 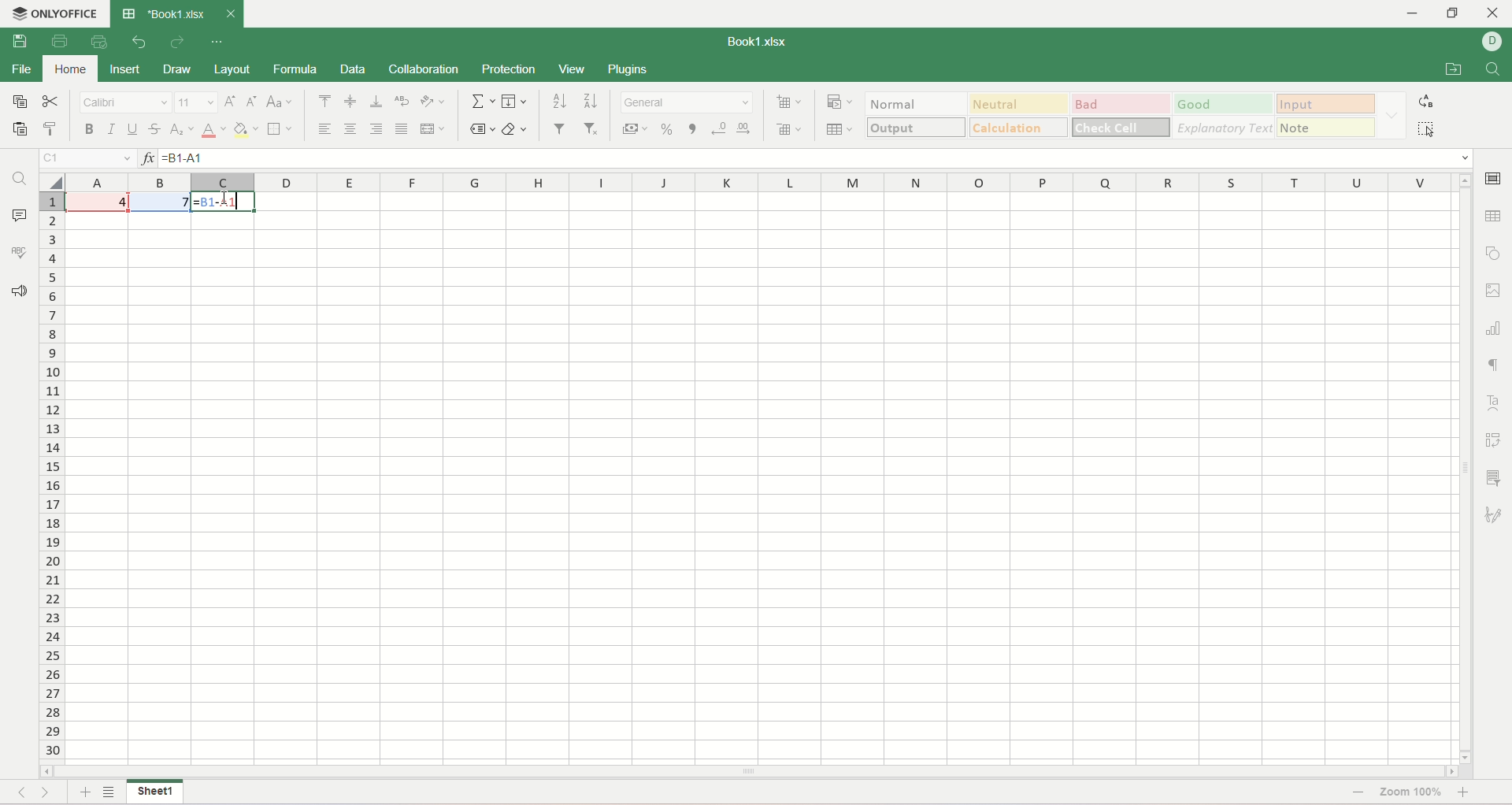 I want to click on conditional formatting, so click(x=842, y=99).